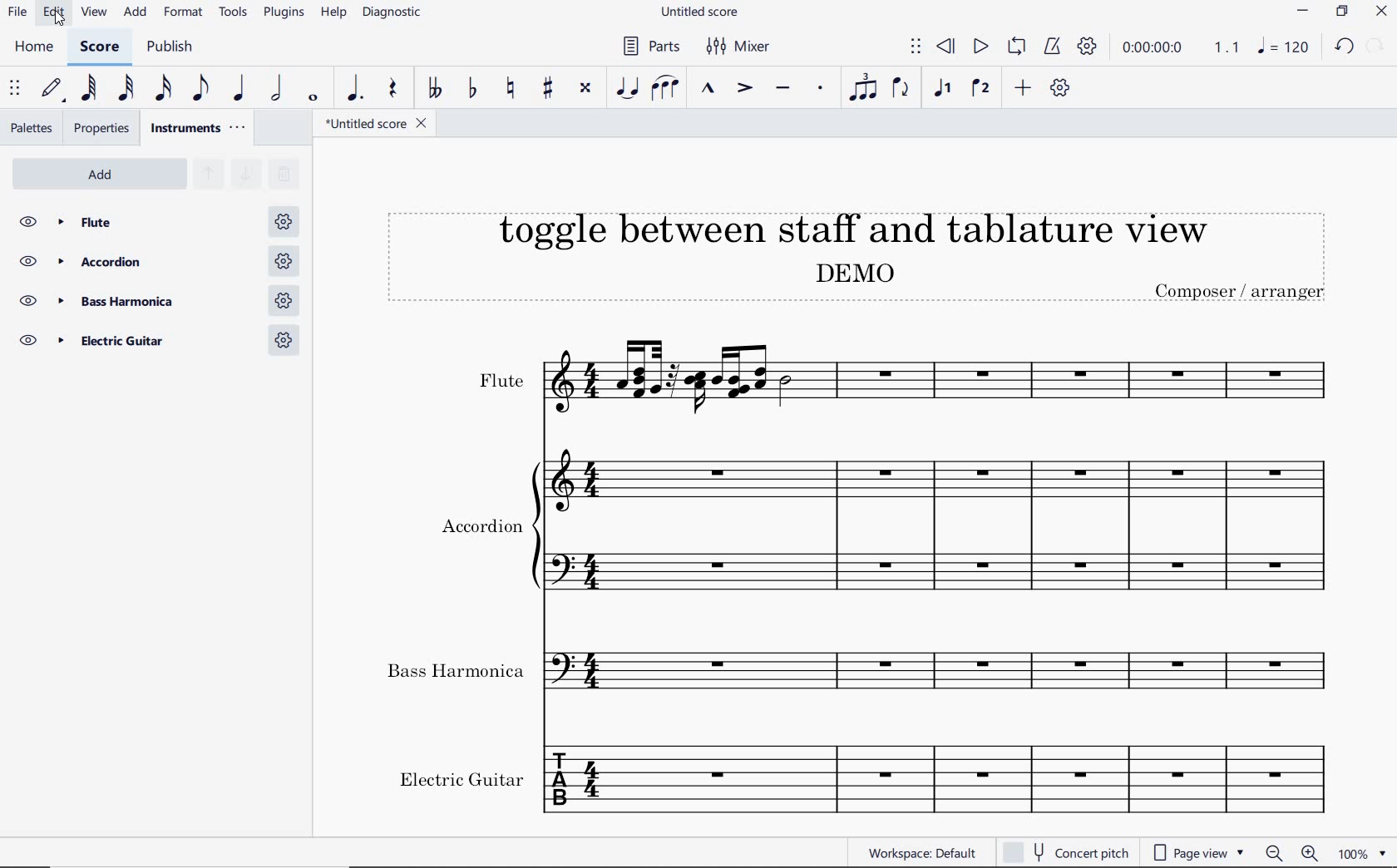 The height and width of the screenshot is (868, 1397). What do you see at coordinates (1228, 49) in the screenshot?
I see `Playback speed` at bounding box center [1228, 49].